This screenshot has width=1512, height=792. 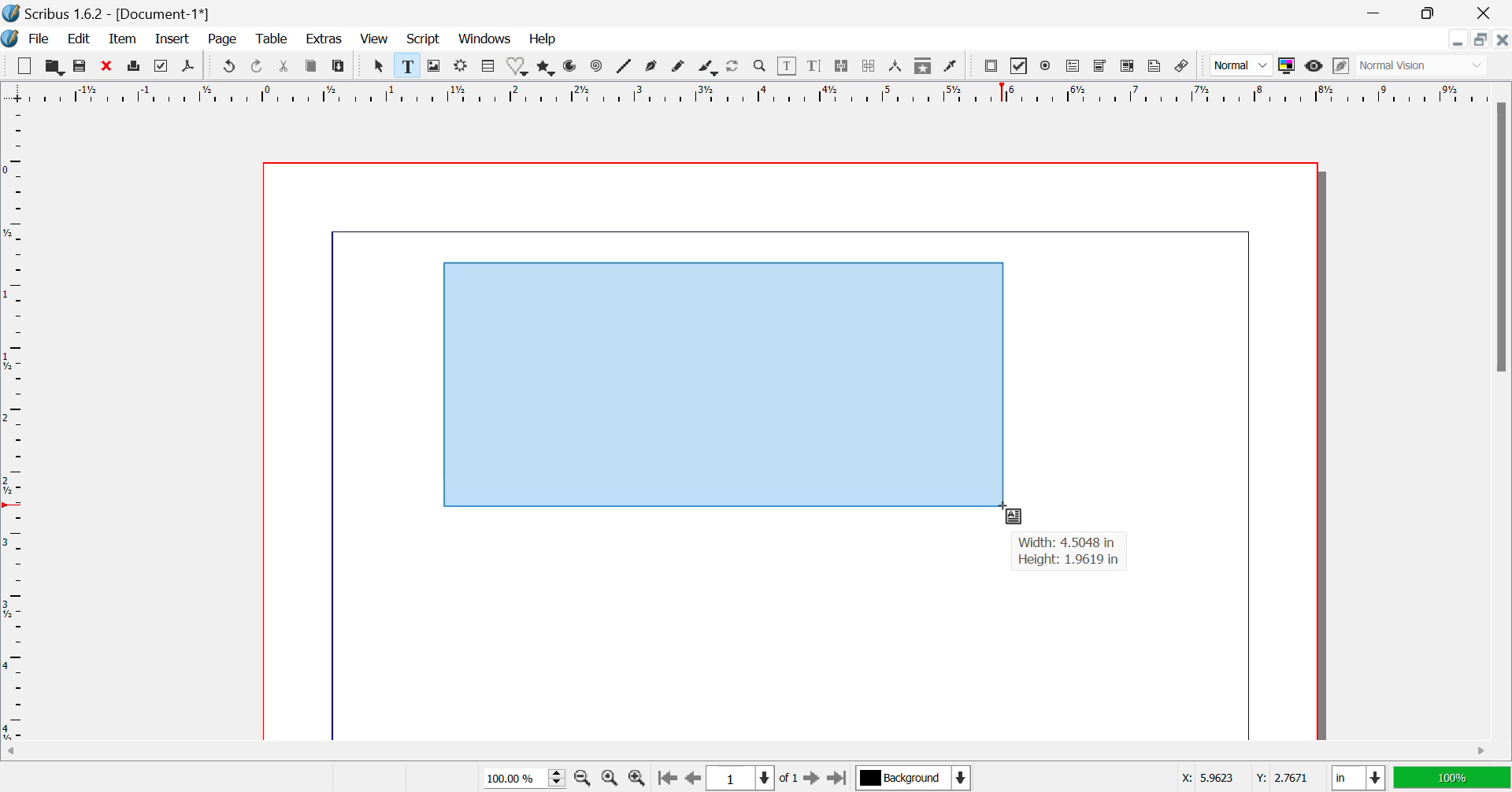 What do you see at coordinates (81, 41) in the screenshot?
I see `Edit` at bounding box center [81, 41].